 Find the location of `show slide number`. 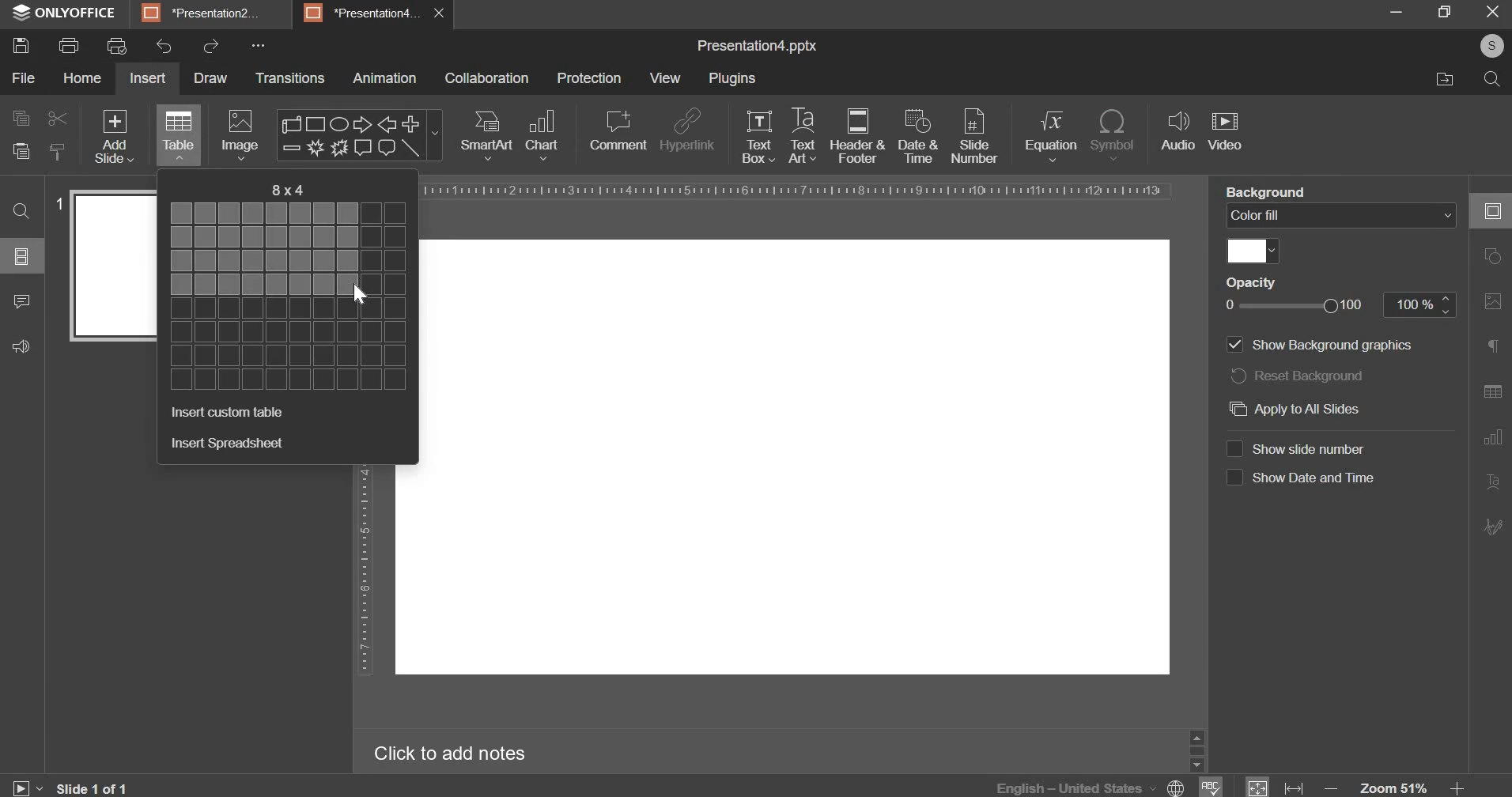

show slide number is located at coordinates (1295, 448).